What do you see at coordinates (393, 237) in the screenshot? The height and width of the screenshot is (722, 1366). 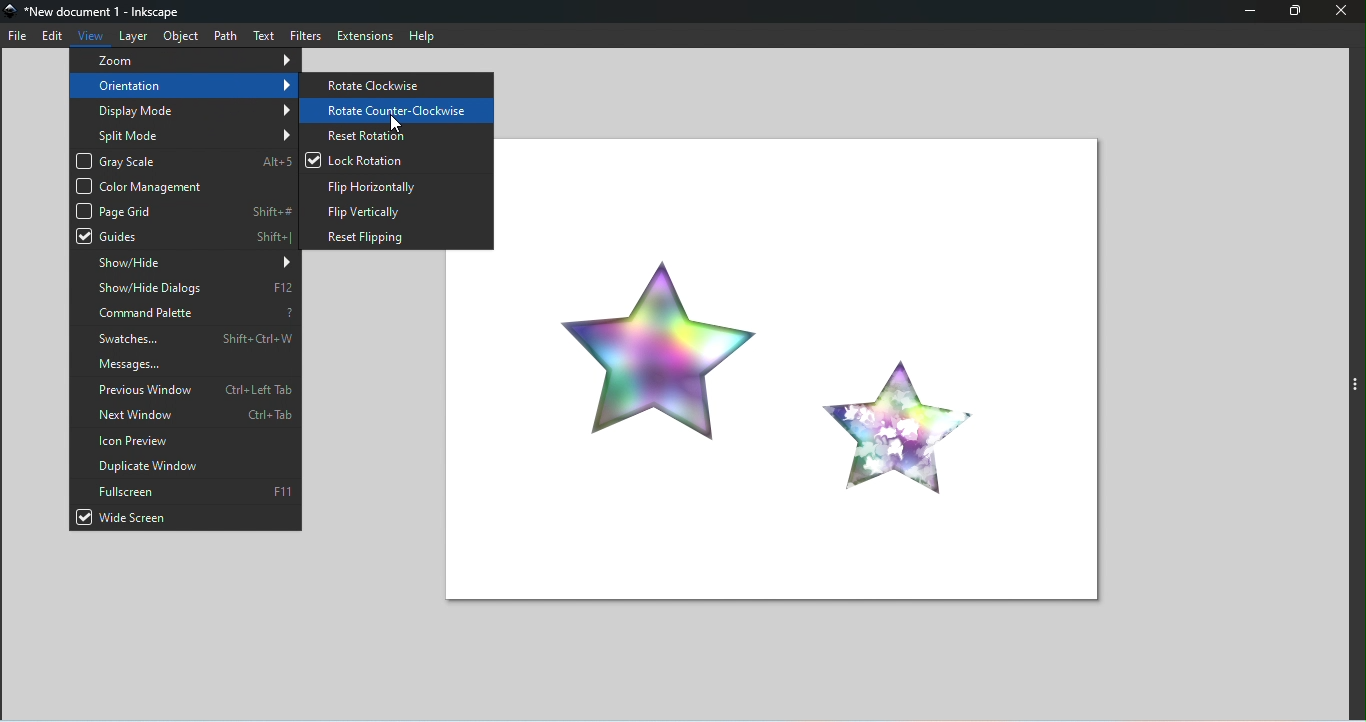 I see `Reset flipping` at bounding box center [393, 237].